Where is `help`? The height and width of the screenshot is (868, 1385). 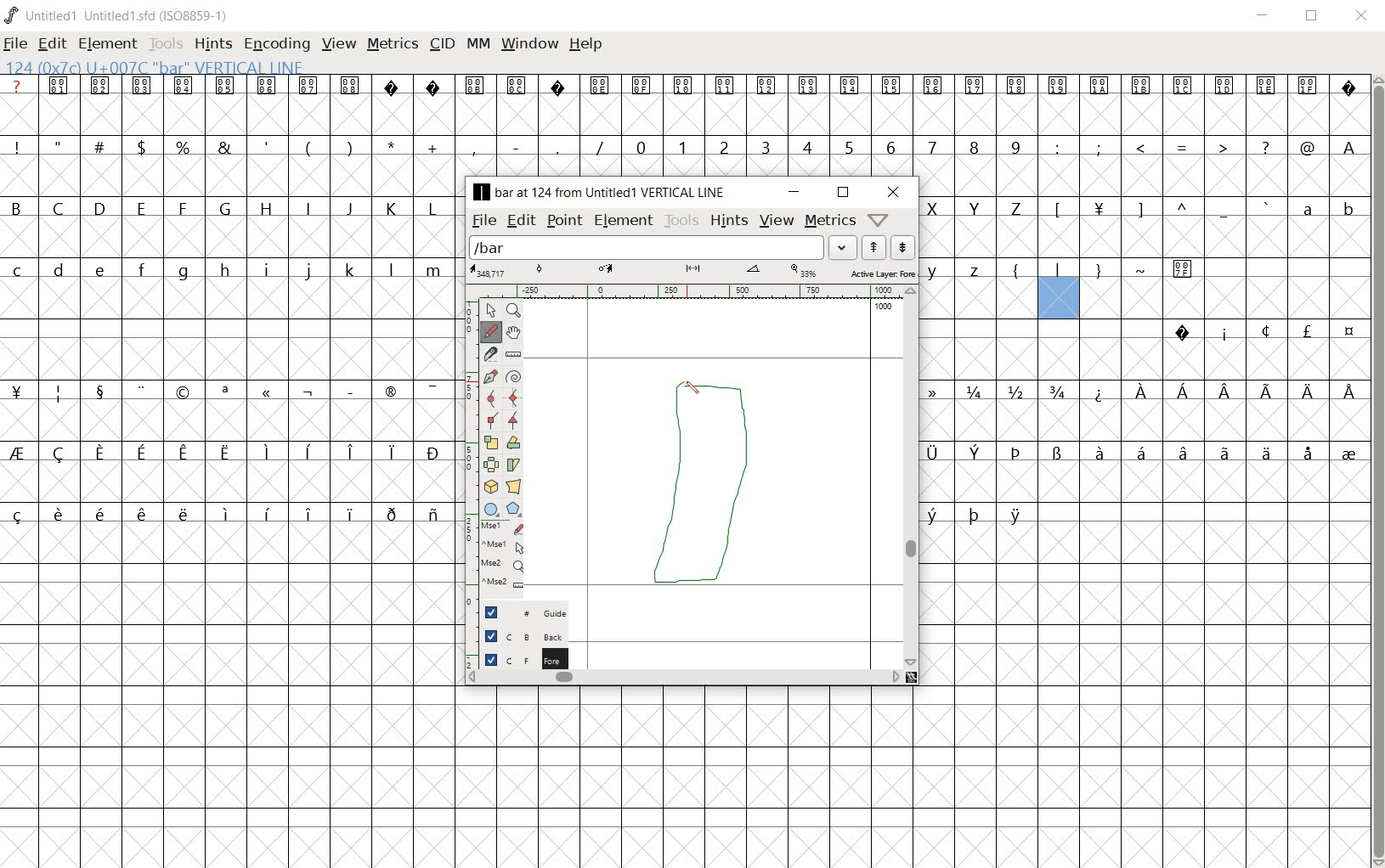 help is located at coordinates (587, 45).